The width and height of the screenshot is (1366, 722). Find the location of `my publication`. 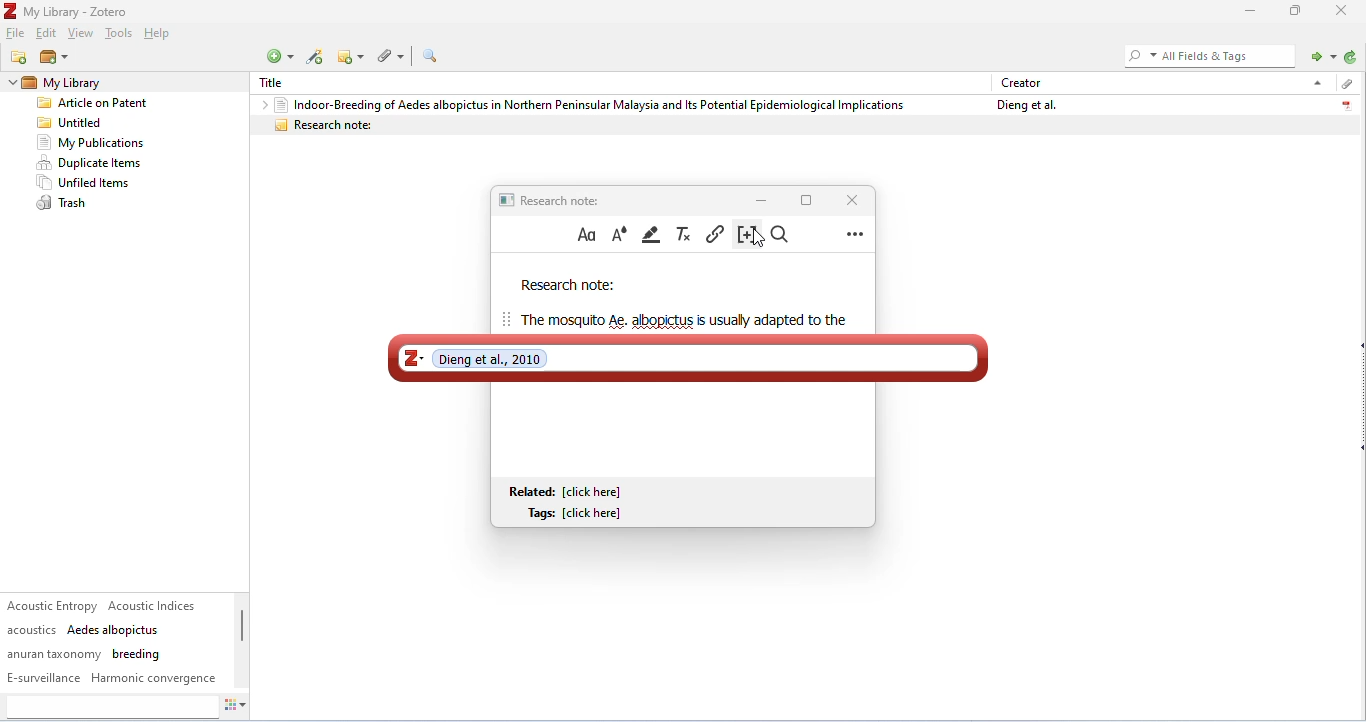

my publication is located at coordinates (90, 143).